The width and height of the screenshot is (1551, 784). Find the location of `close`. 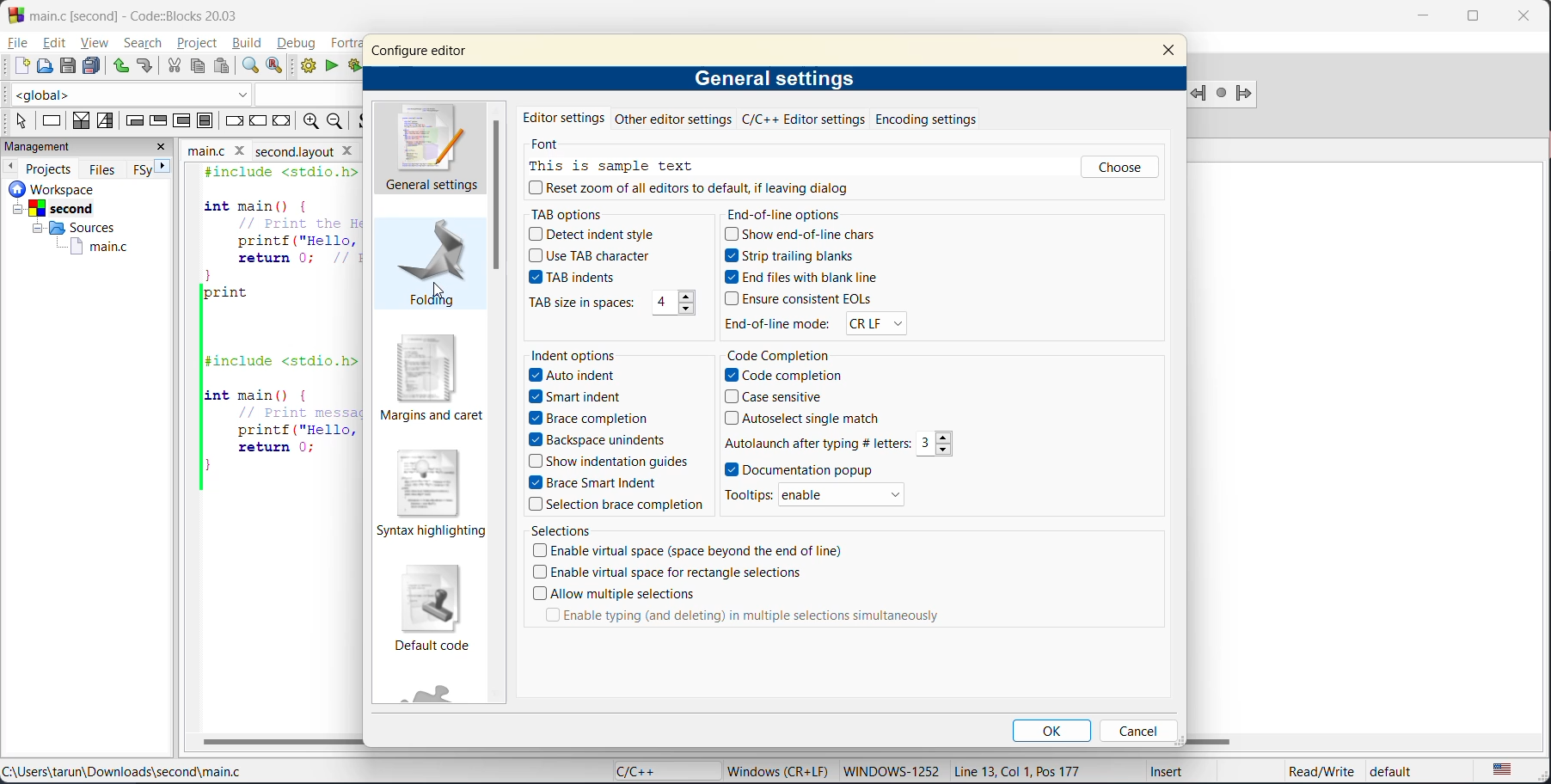

close is located at coordinates (1170, 52).